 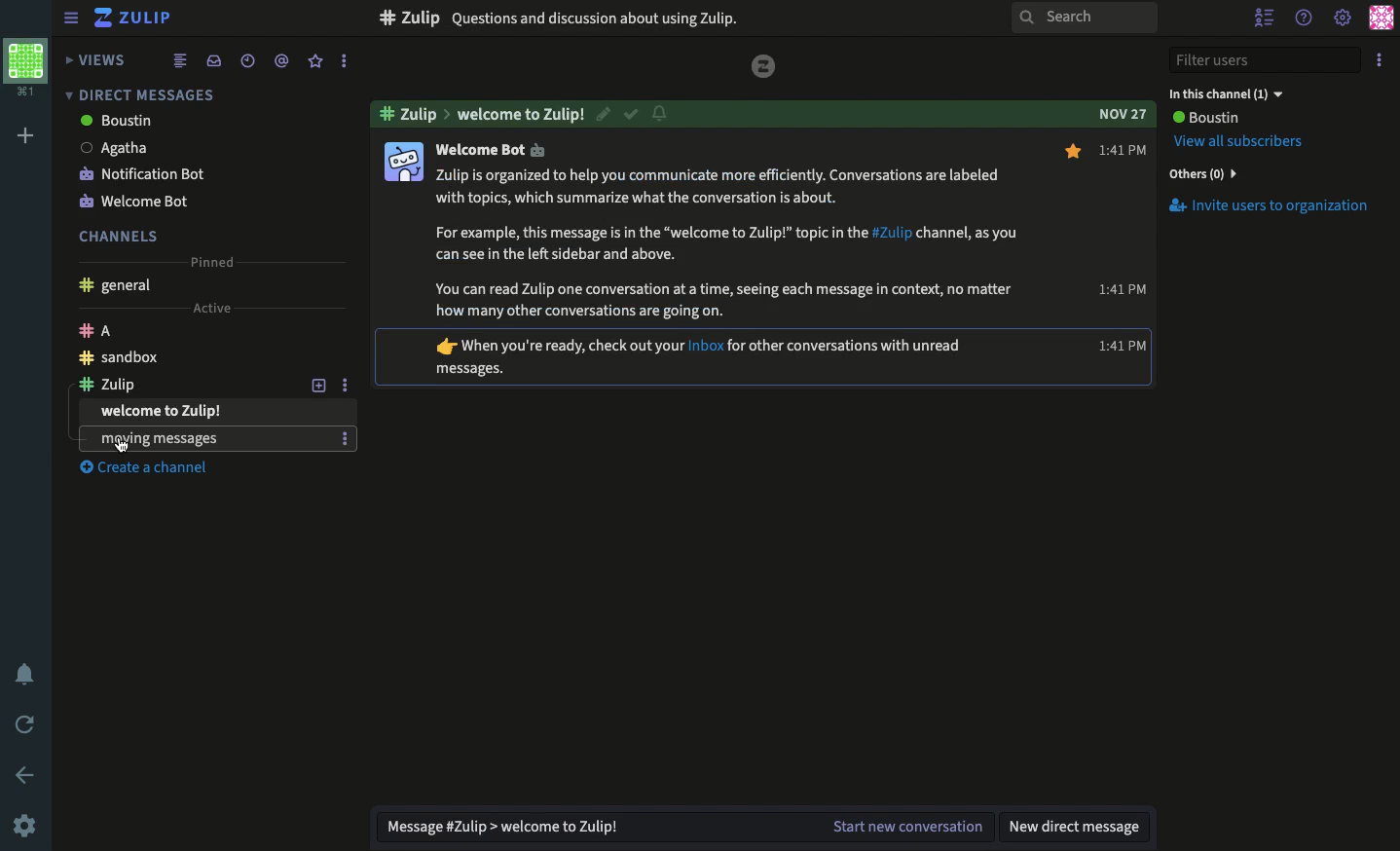 What do you see at coordinates (119, 236) in the screenshot?
I see `Channels` at bounding box center [119, 236].